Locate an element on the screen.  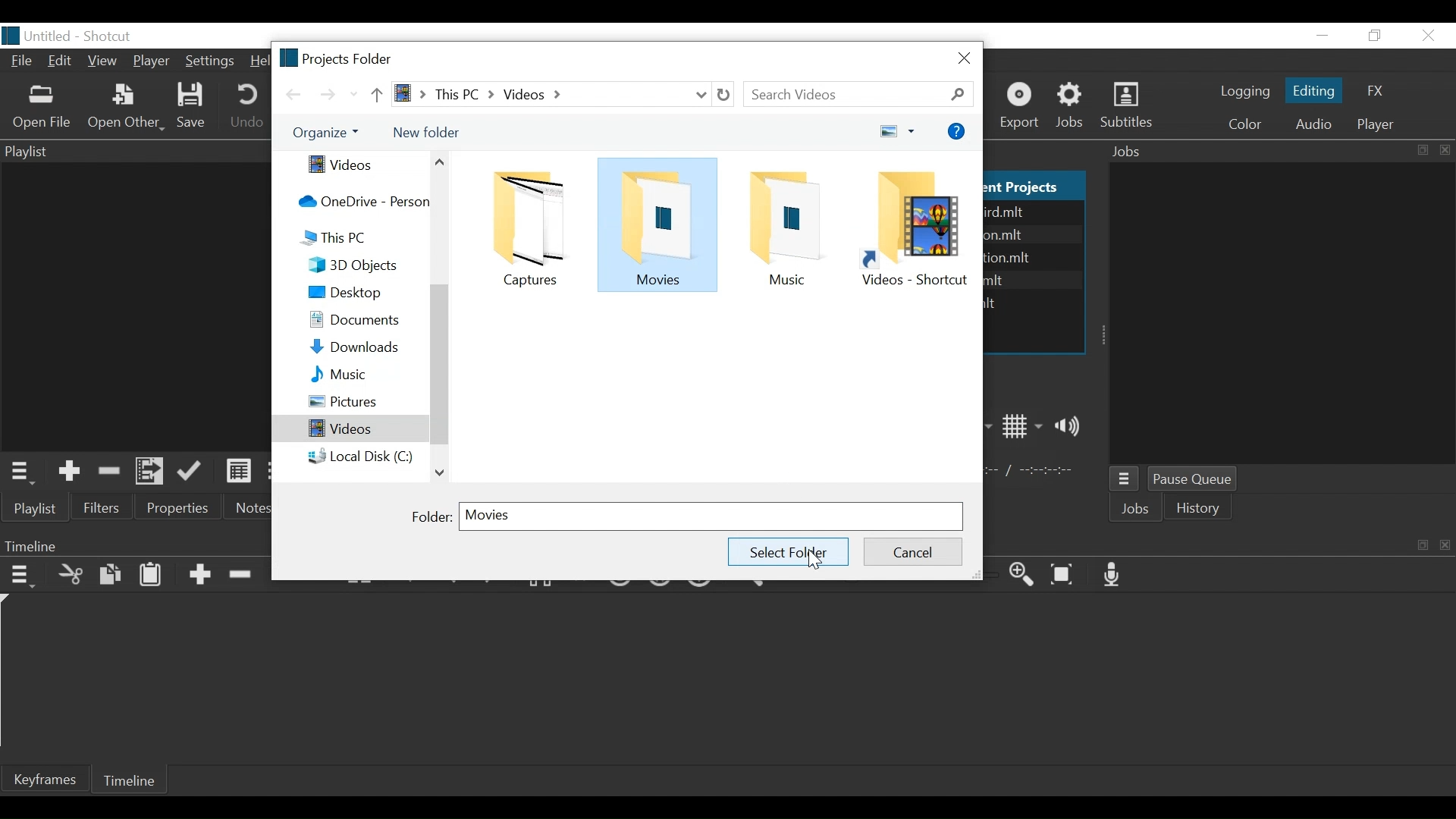
Audio is located at coordinates (1313, 124).